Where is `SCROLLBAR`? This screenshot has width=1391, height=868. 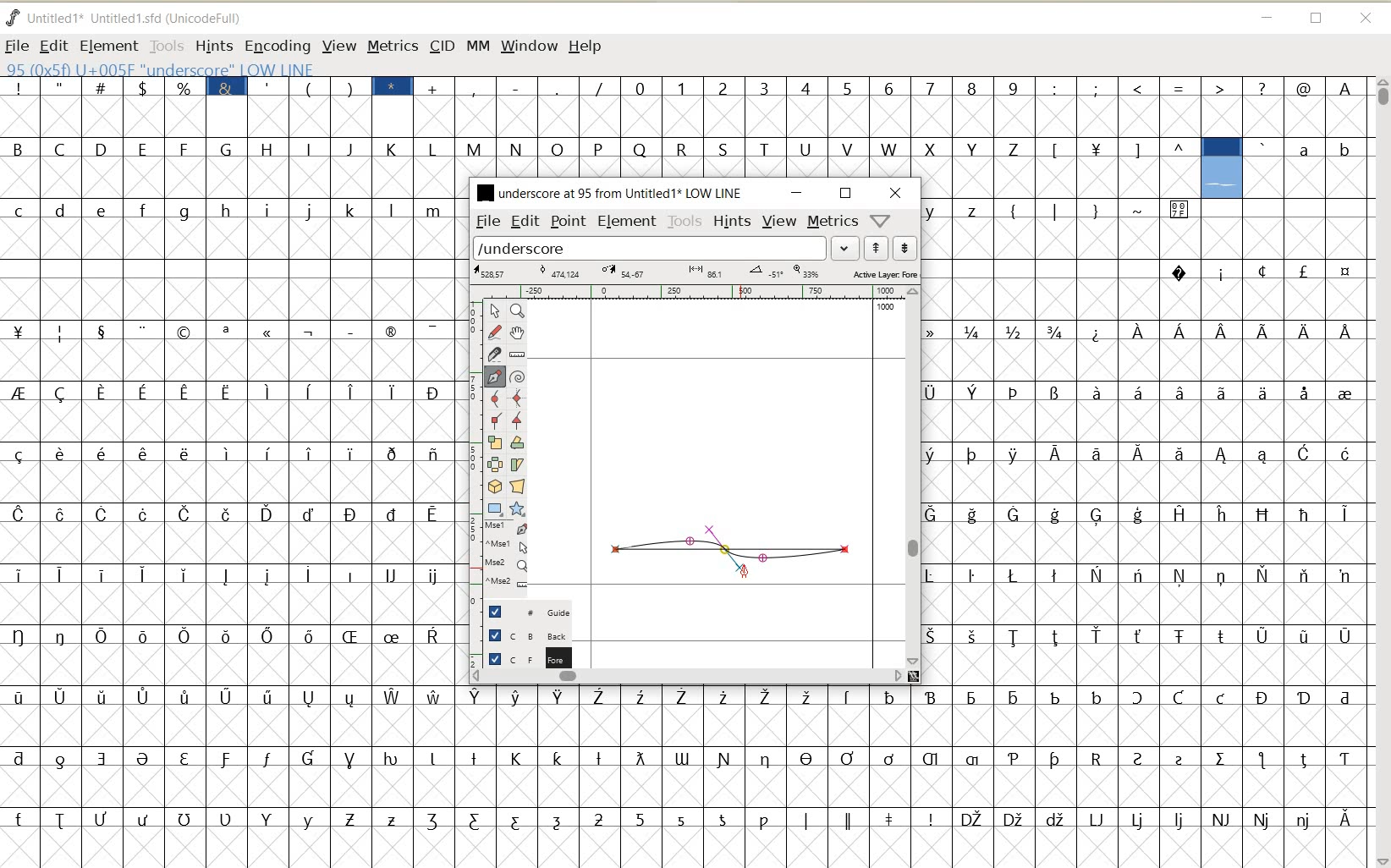 SCROLLBAR is located at coordinates (914, 477).